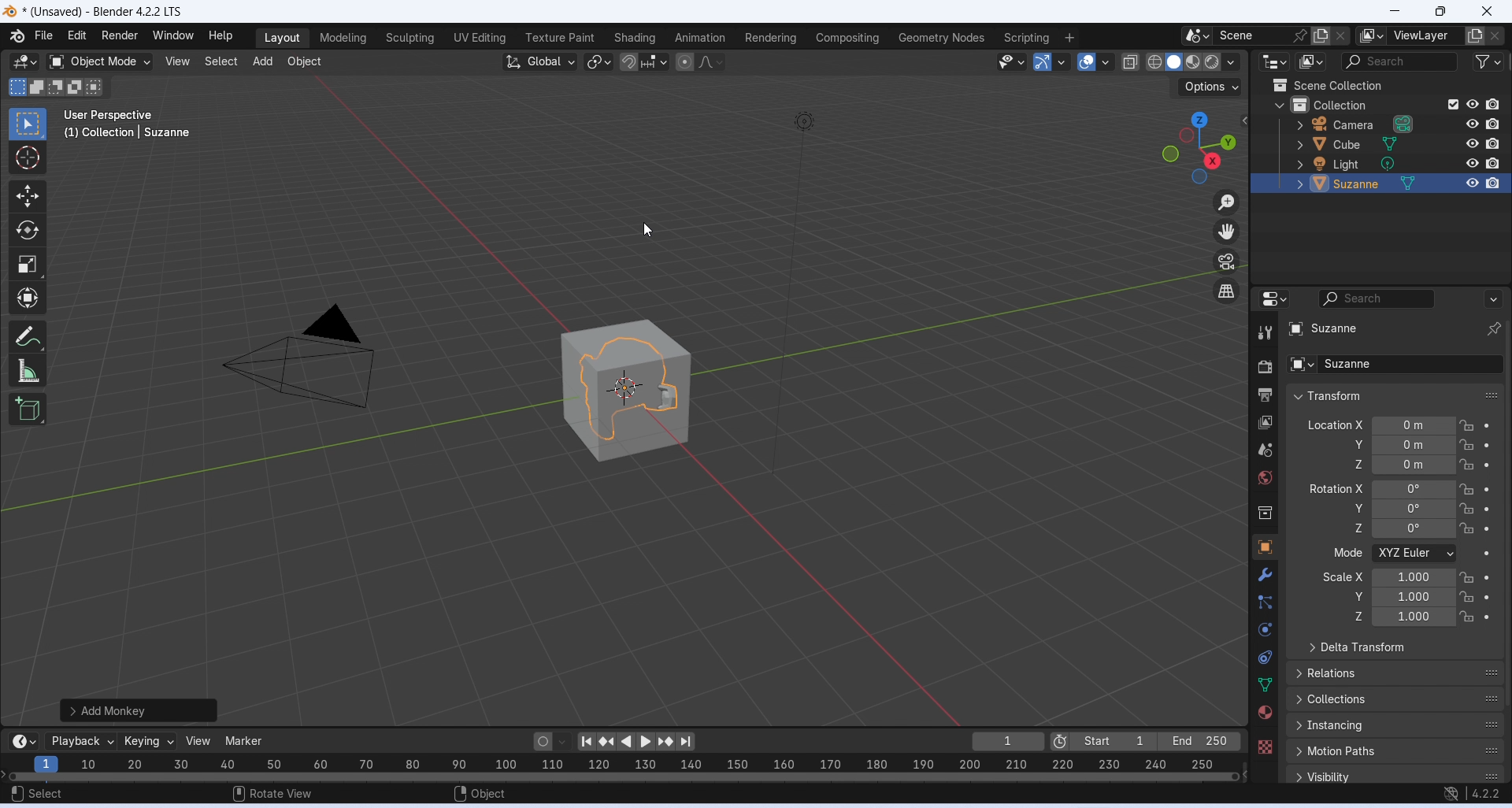 The width and height of the screenshot is (1512, 808). I want to click on location x, so click(1333, 424).